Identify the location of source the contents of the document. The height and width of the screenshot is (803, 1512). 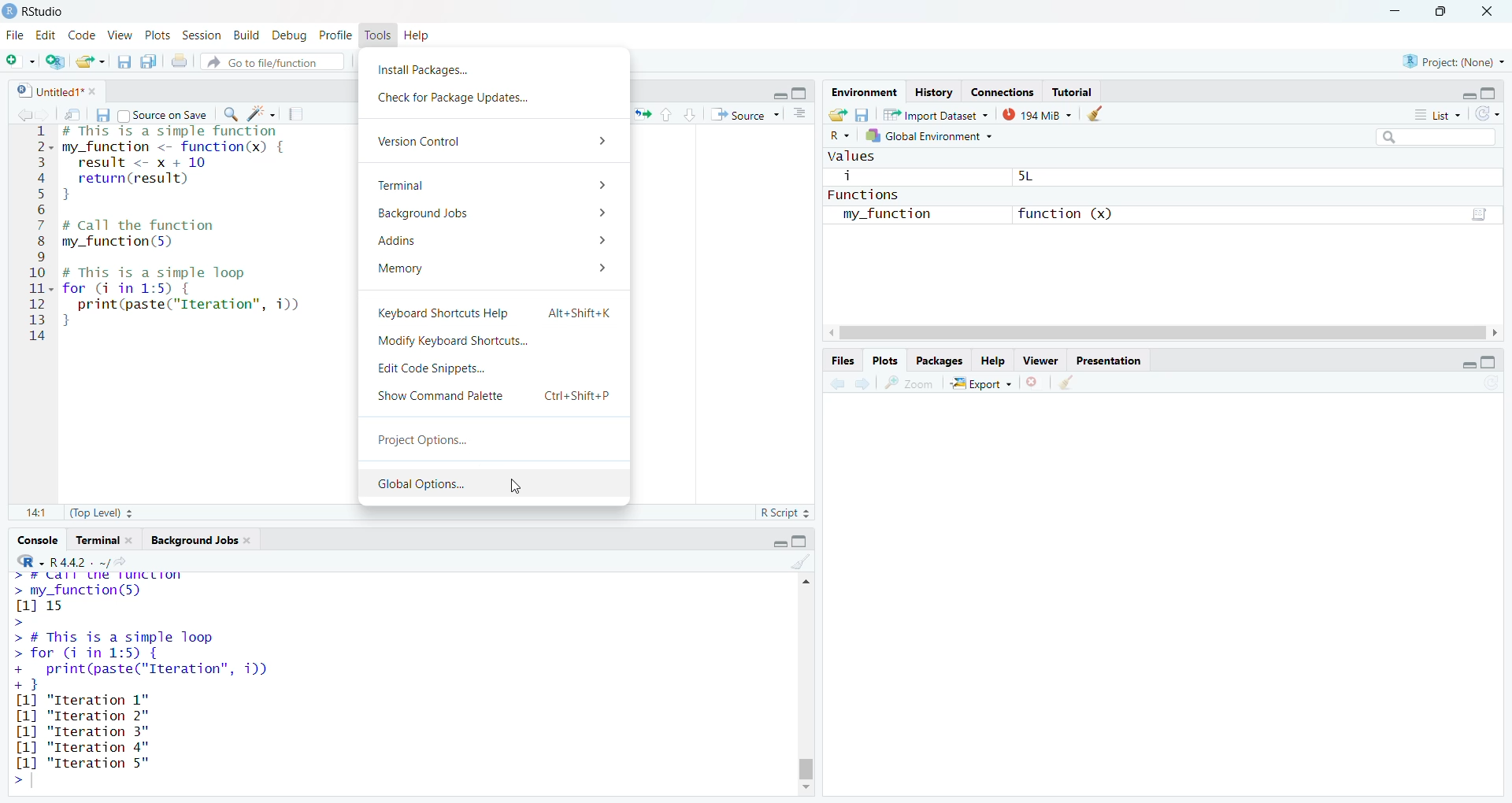
(746, 115).